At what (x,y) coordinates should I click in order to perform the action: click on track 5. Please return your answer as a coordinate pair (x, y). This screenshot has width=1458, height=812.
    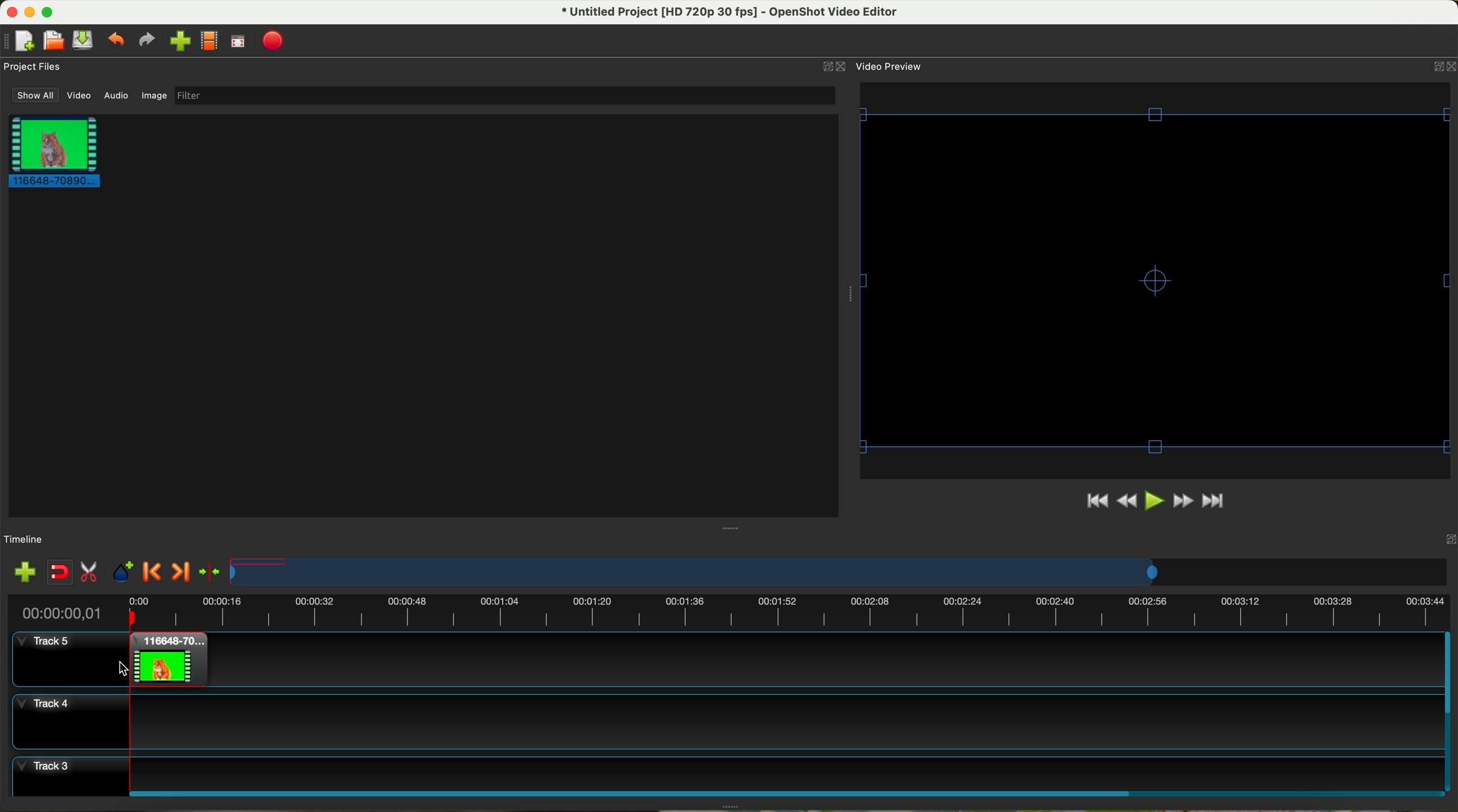
    Looking at the image, I should click on (64, 655).